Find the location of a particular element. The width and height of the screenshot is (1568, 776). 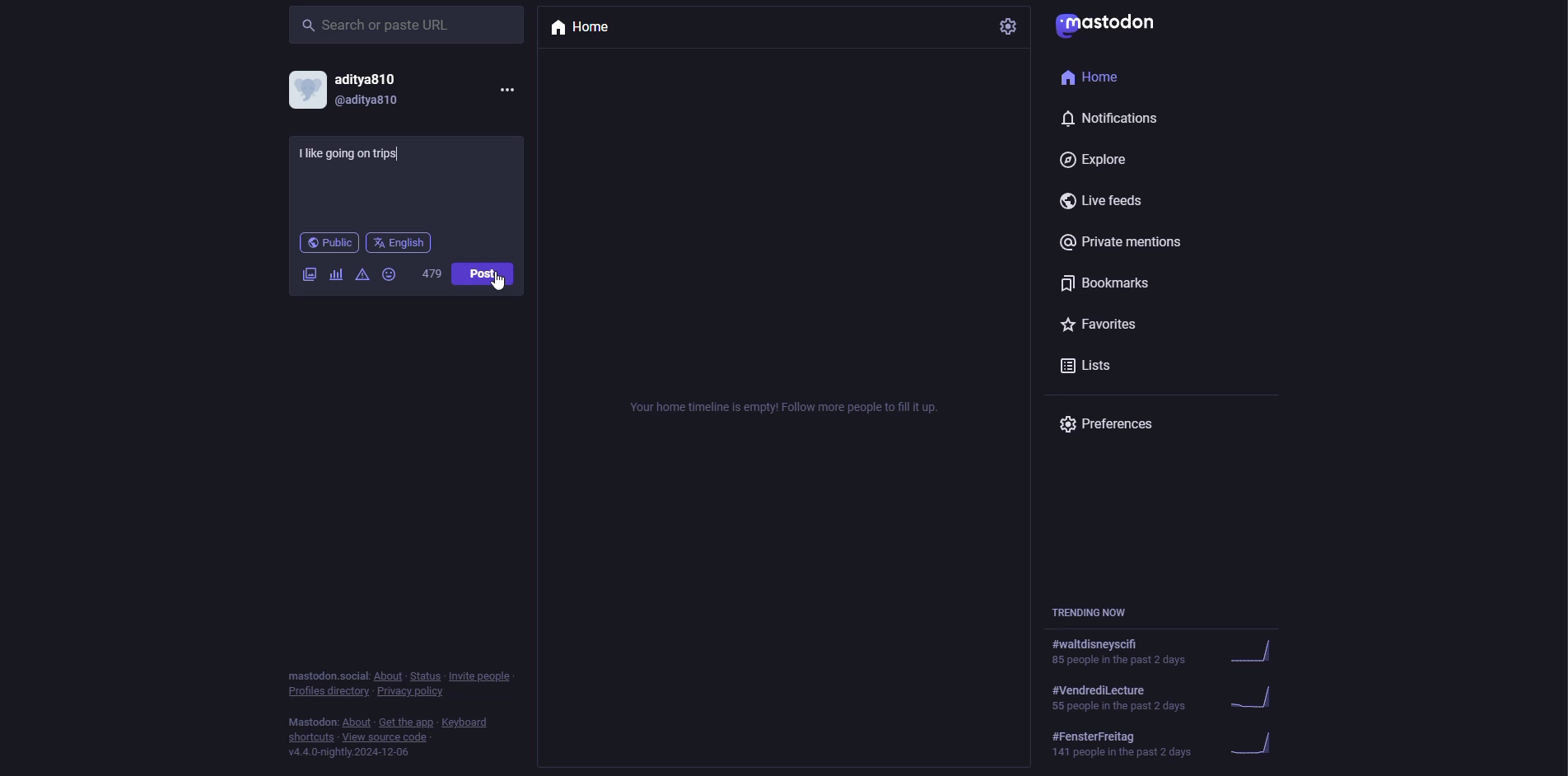

public is located at coordinates (329, 244).